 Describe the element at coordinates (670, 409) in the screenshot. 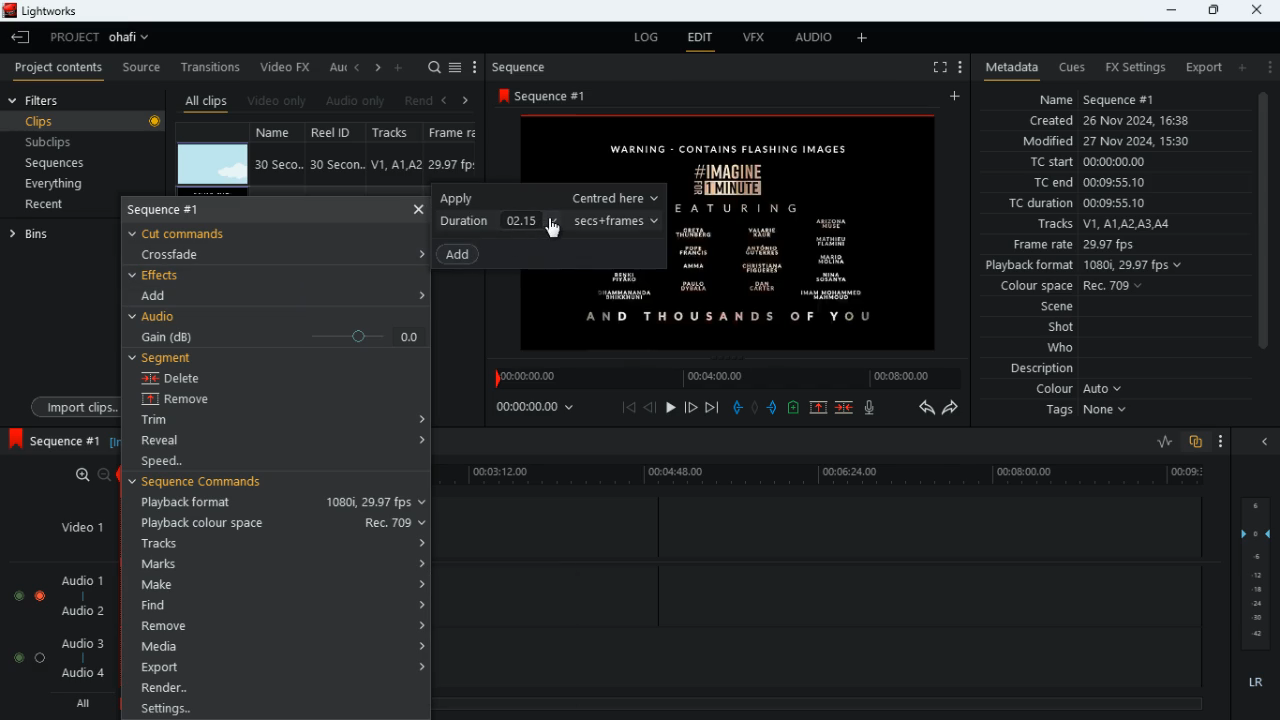

I see `play` at that location.